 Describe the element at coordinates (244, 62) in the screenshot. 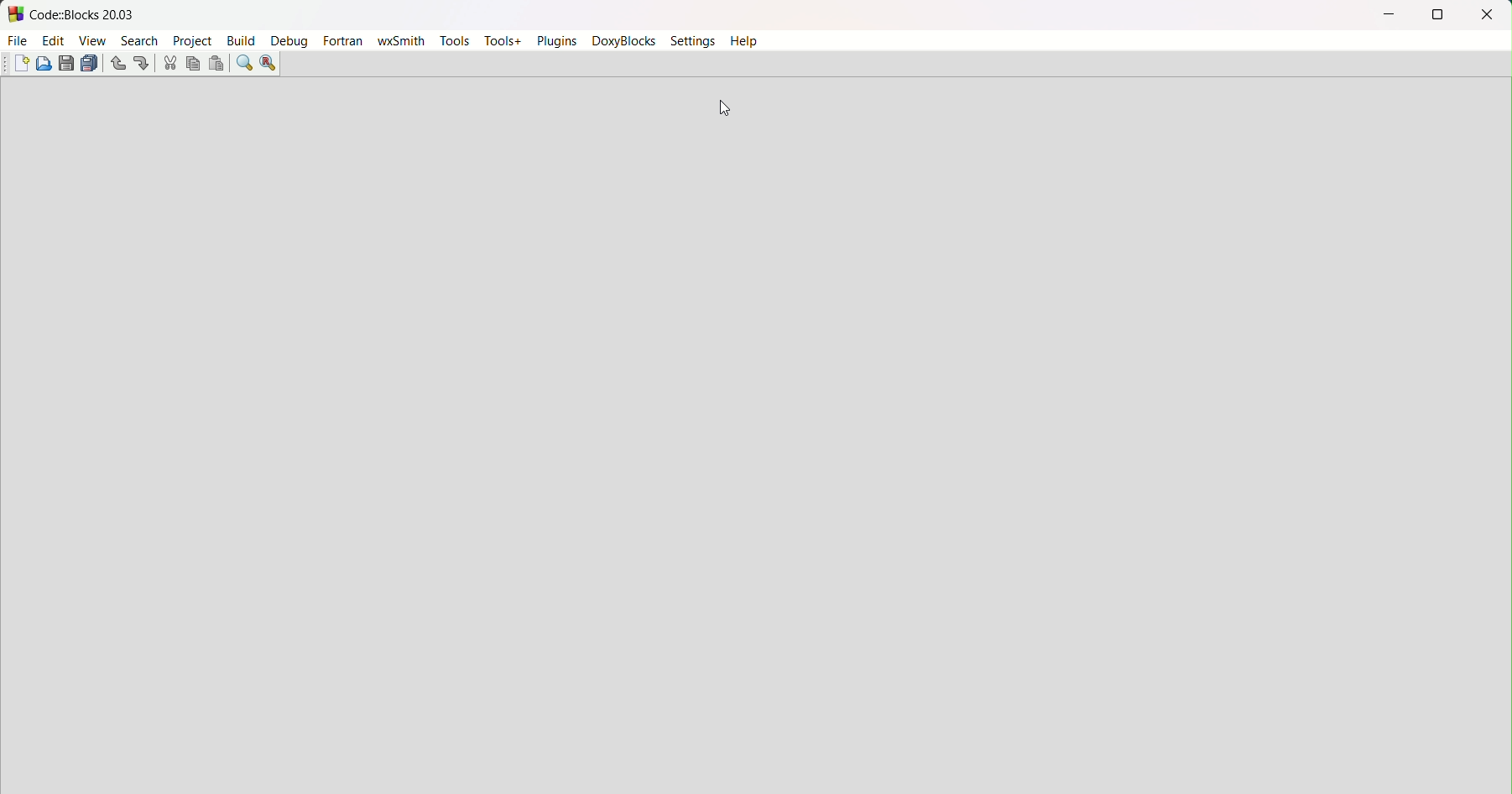

I see `find` at that location.